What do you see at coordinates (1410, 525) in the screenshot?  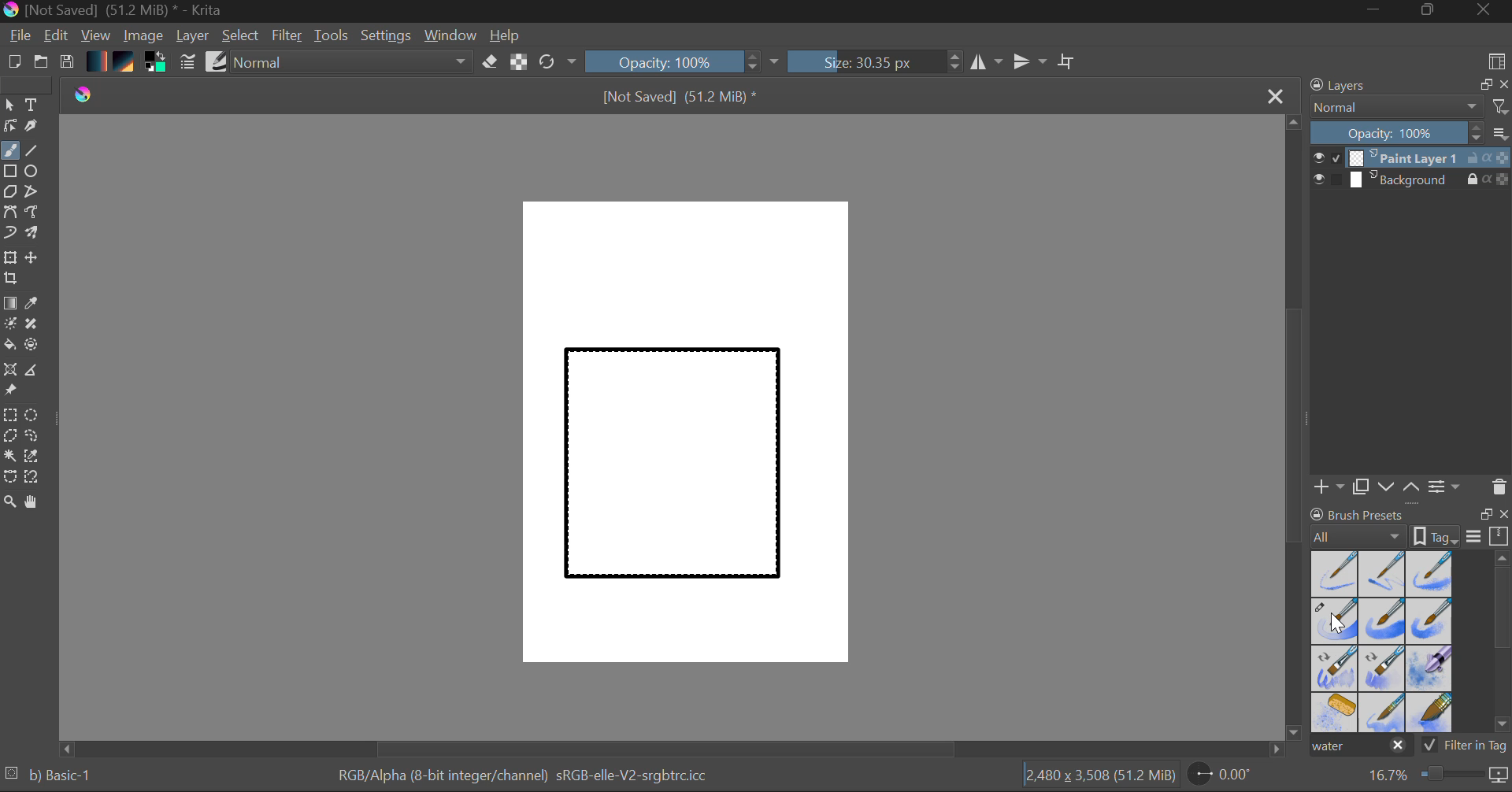 I see `Brush presets docket` at bounding box center [1410, 525].